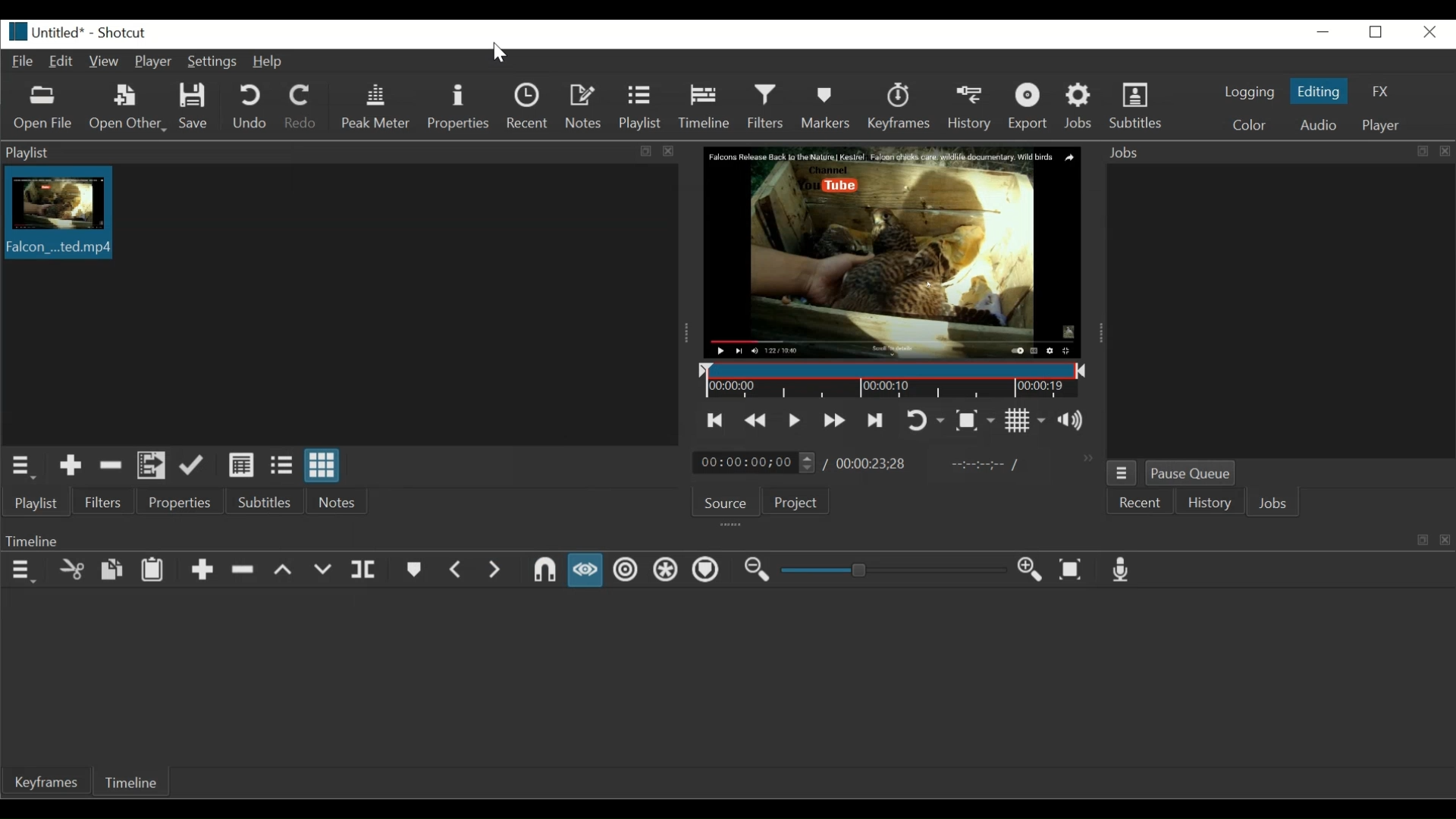  I want to click on Skip to the next point, so click(874, 420).